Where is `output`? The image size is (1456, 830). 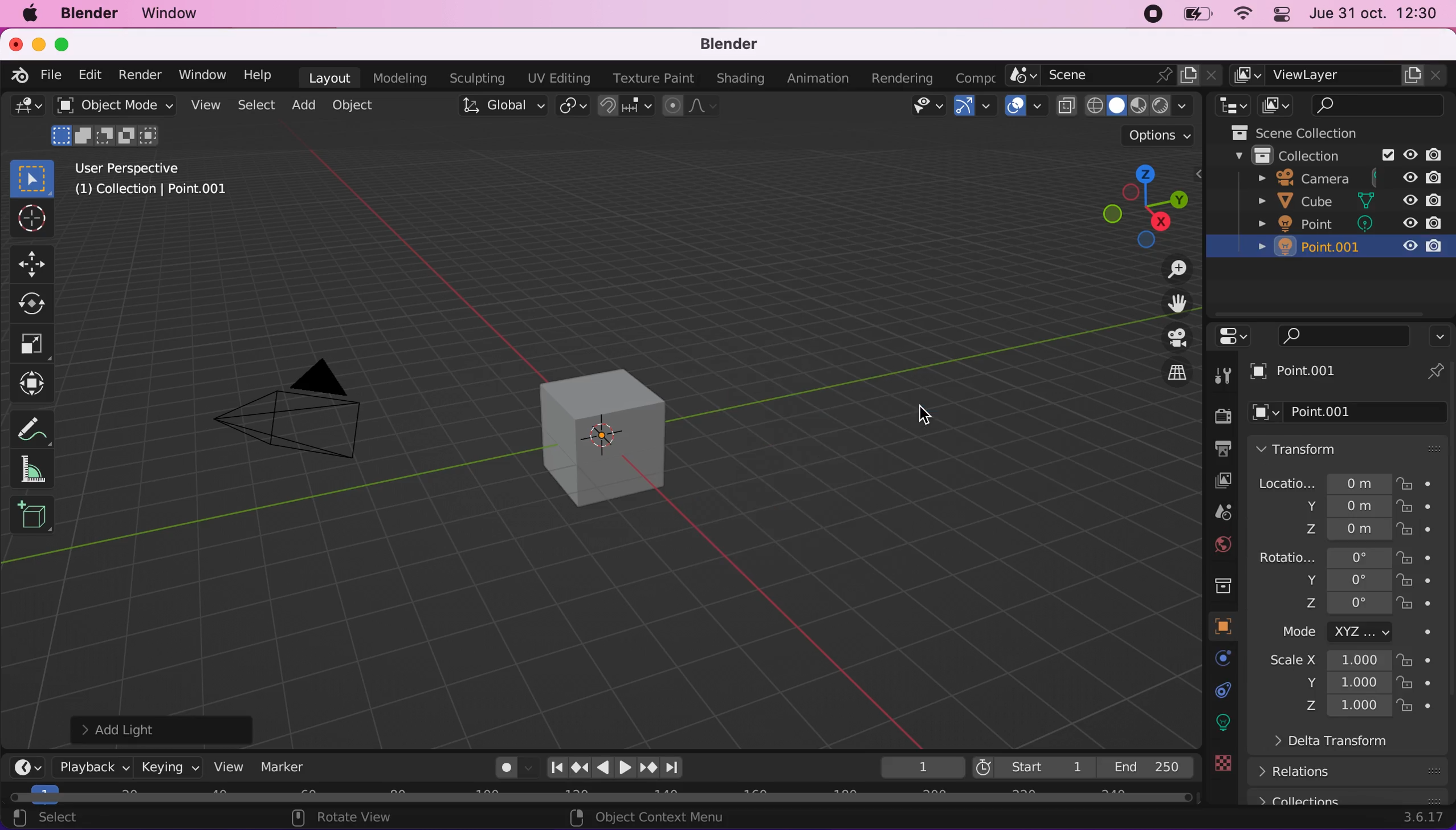
output is located at coordinates (1221, 447).